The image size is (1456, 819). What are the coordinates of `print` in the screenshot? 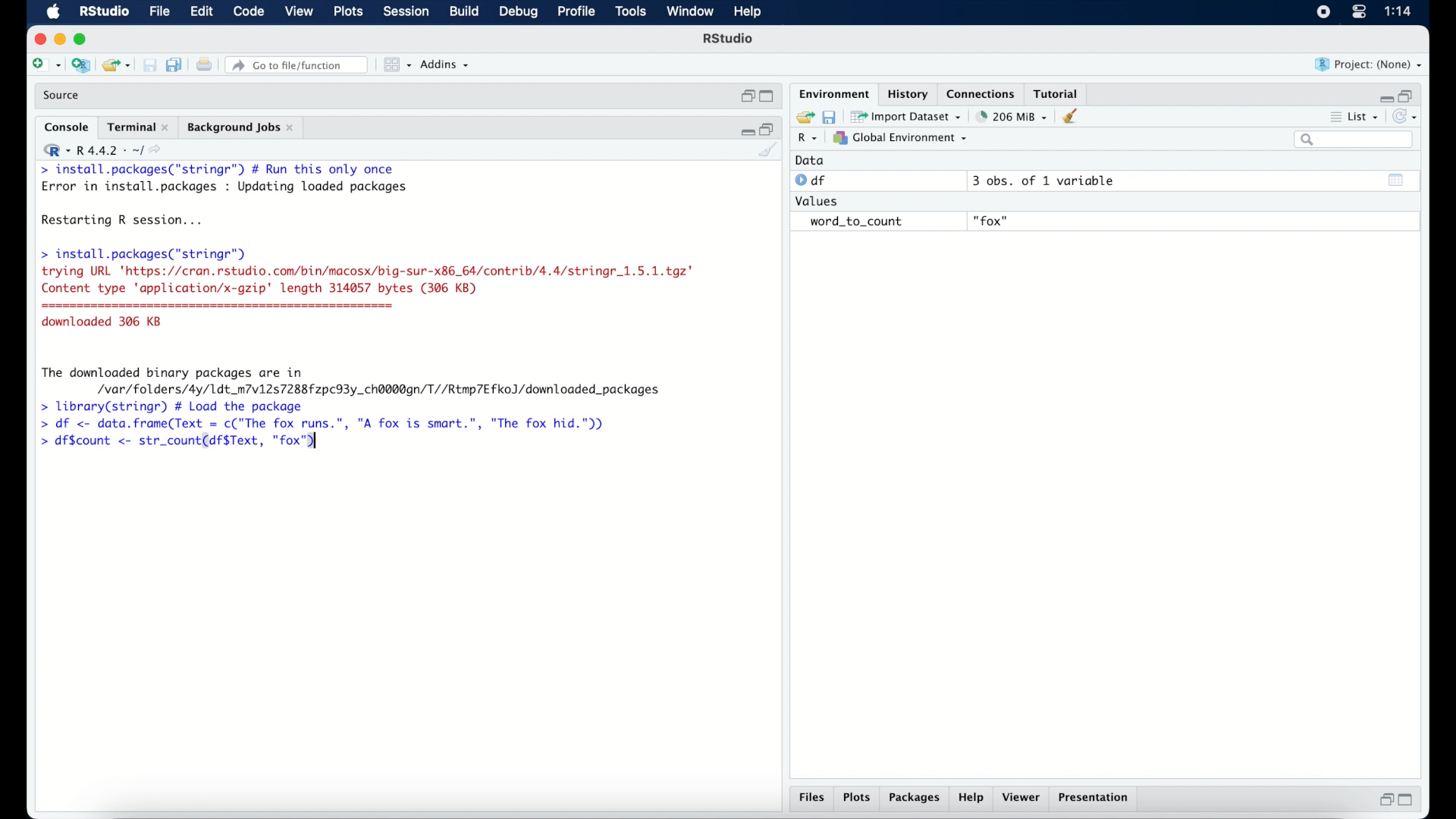 It's located at (204, 66).